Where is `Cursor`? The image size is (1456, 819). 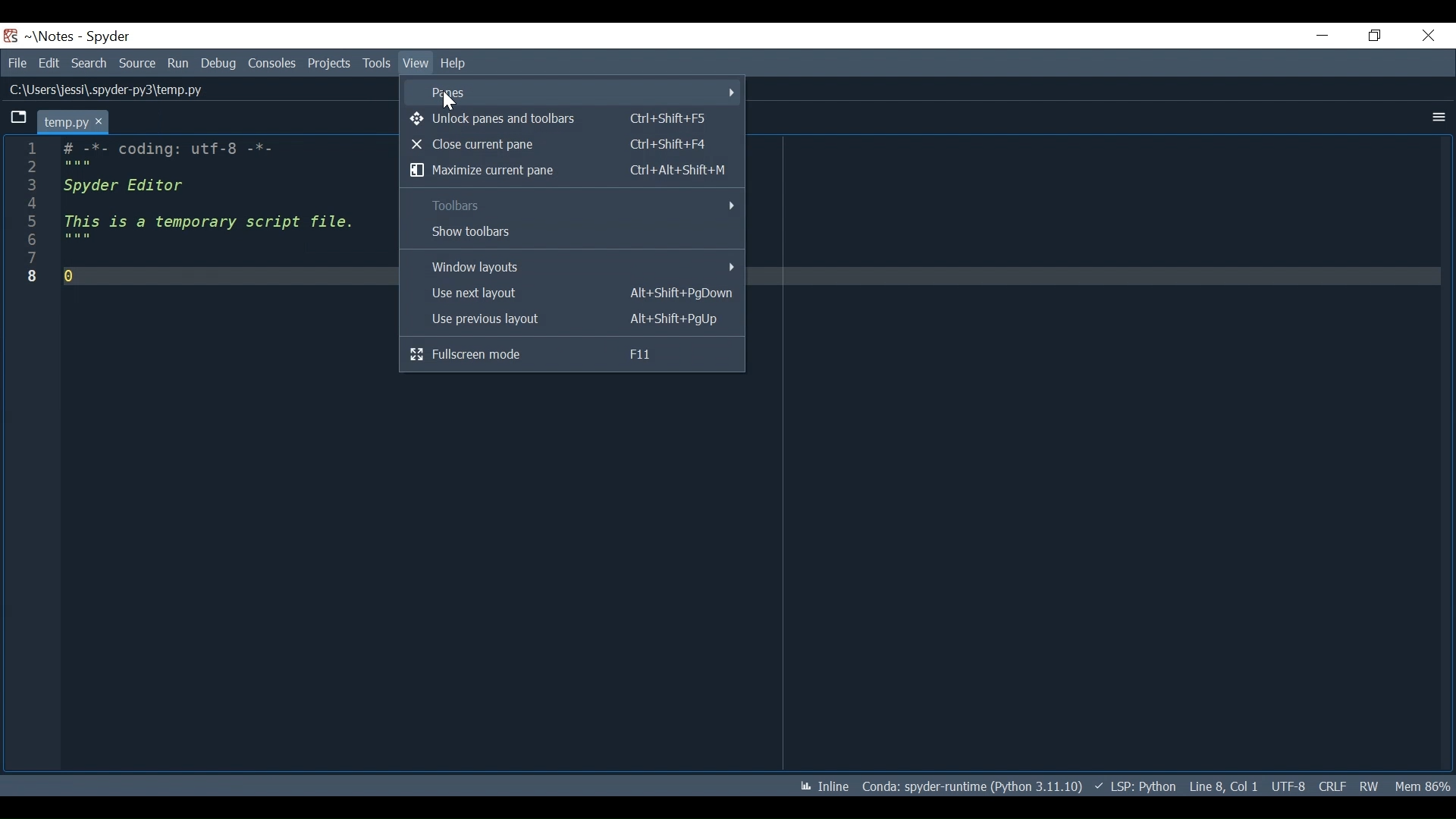 Cursor is located at coordinates (450, 100).